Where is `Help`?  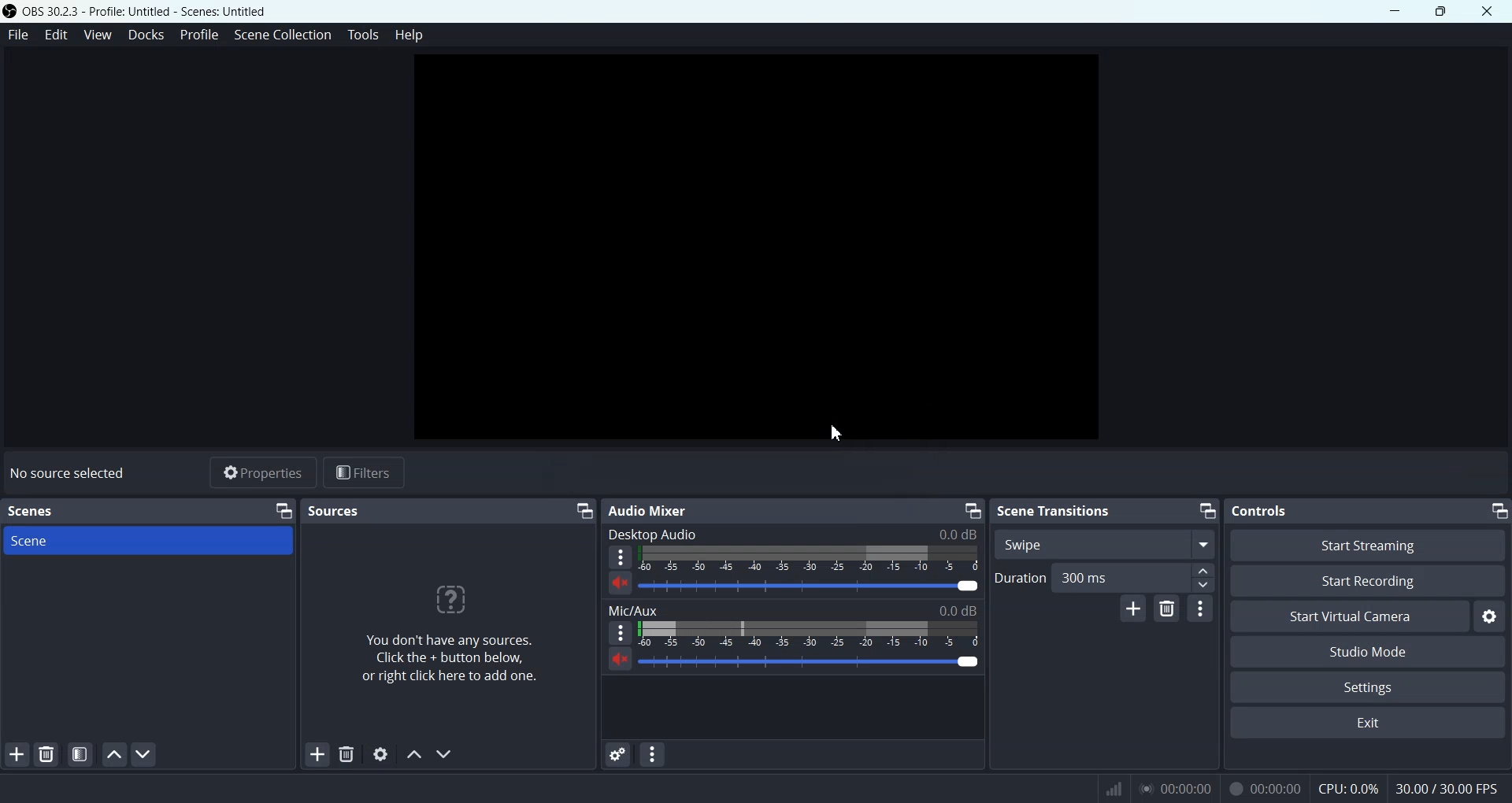
Help is located at coordinates (408, 35).